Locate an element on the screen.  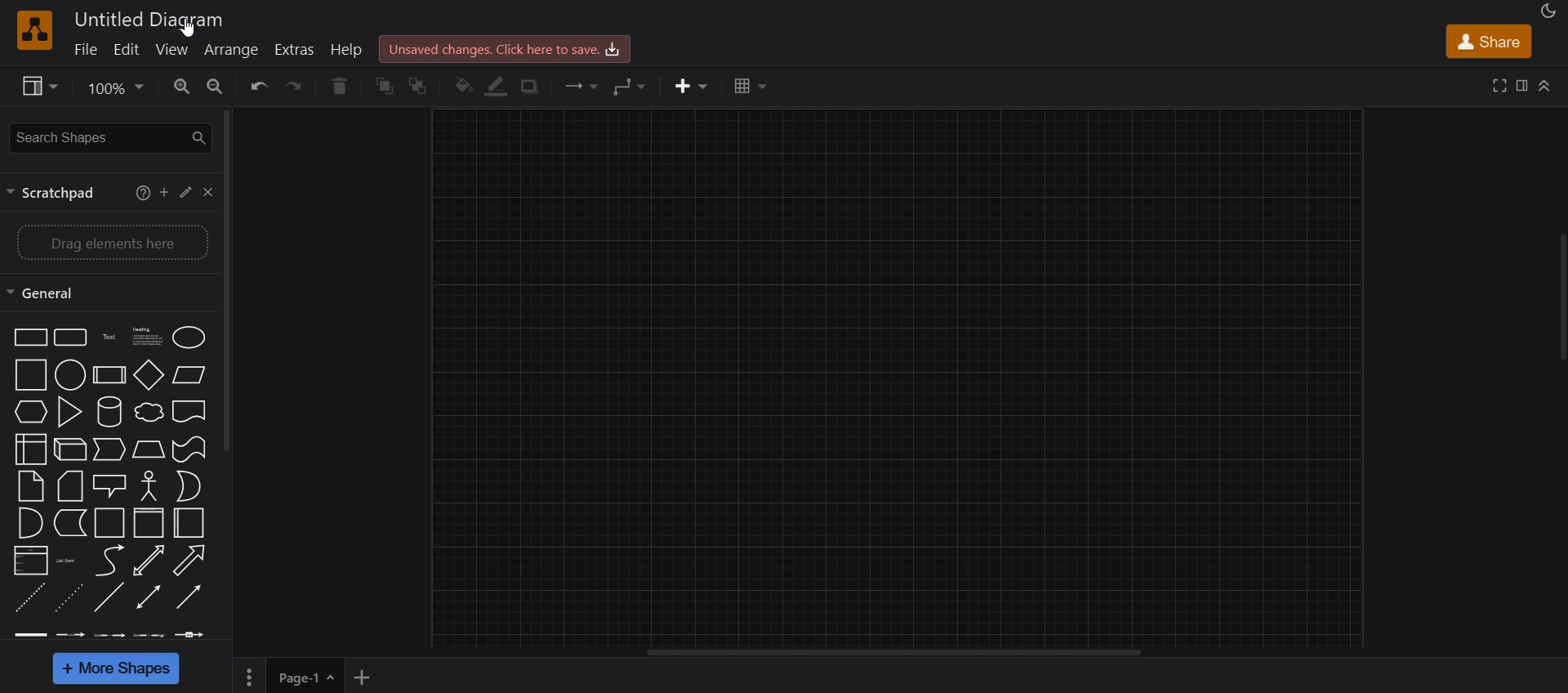
zoom out is located at coordinates (214, 86).